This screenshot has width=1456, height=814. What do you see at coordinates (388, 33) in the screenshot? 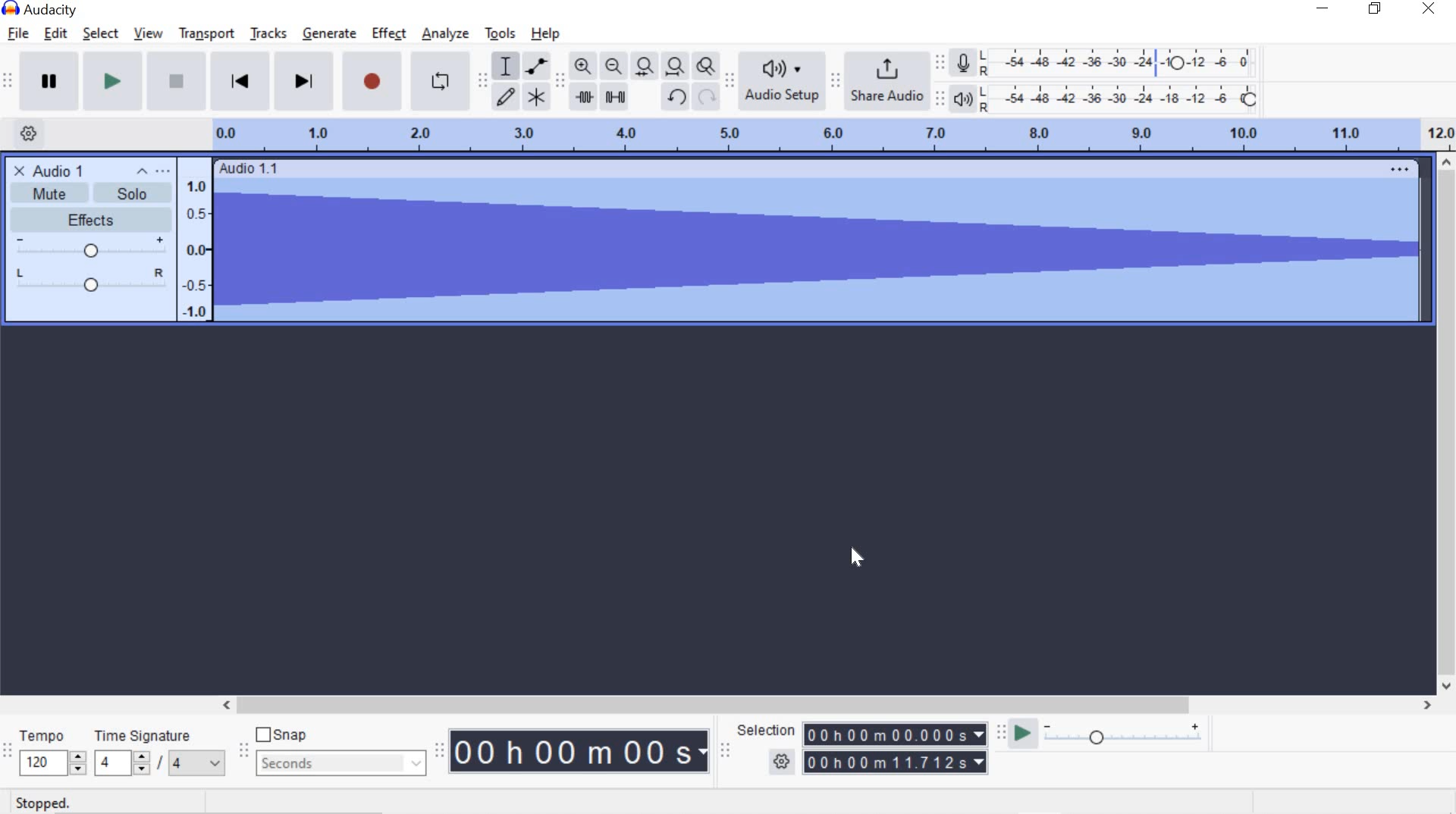
I see `effect` at bounding box center [388, 33].